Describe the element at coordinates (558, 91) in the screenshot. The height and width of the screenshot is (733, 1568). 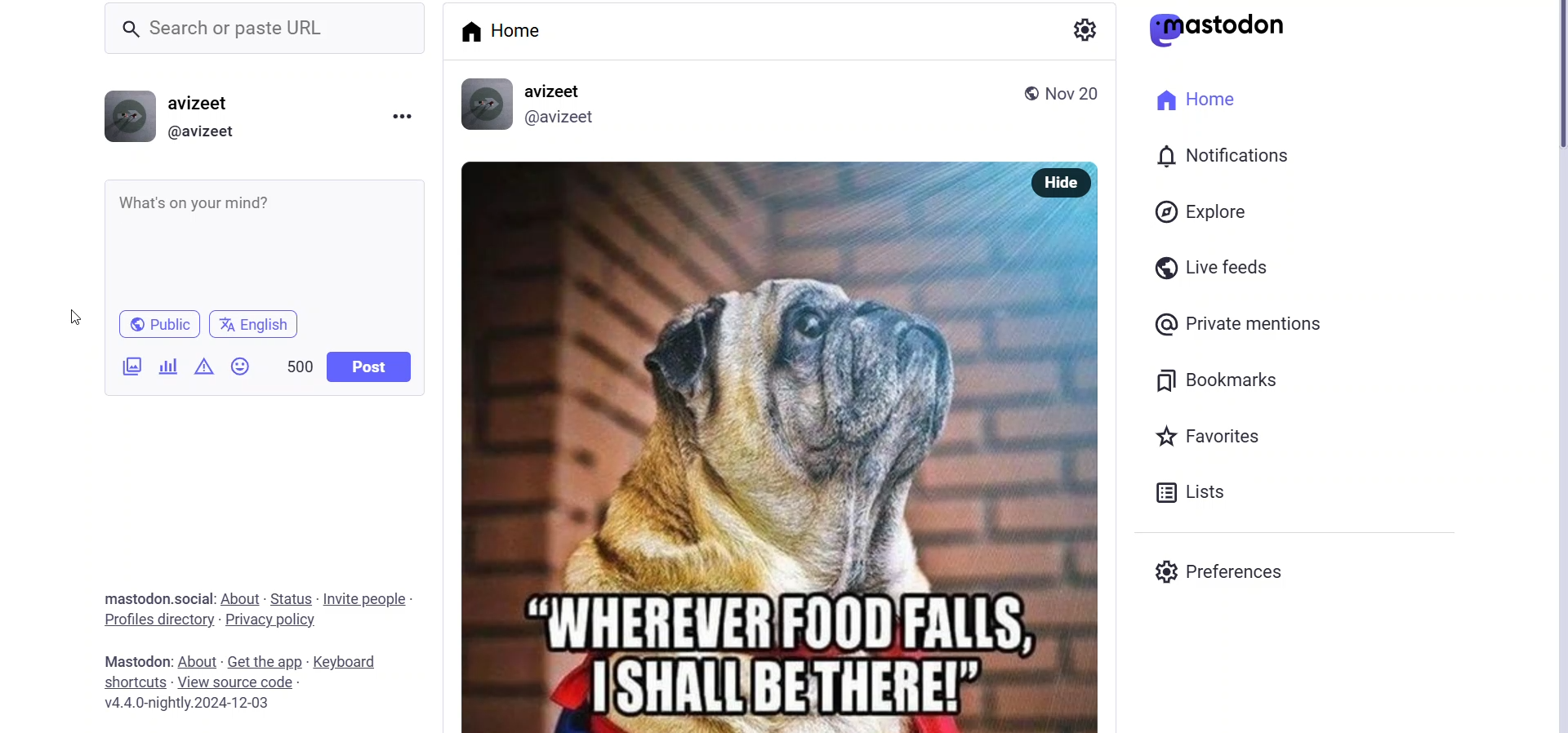
I see `avizeet` at that location.